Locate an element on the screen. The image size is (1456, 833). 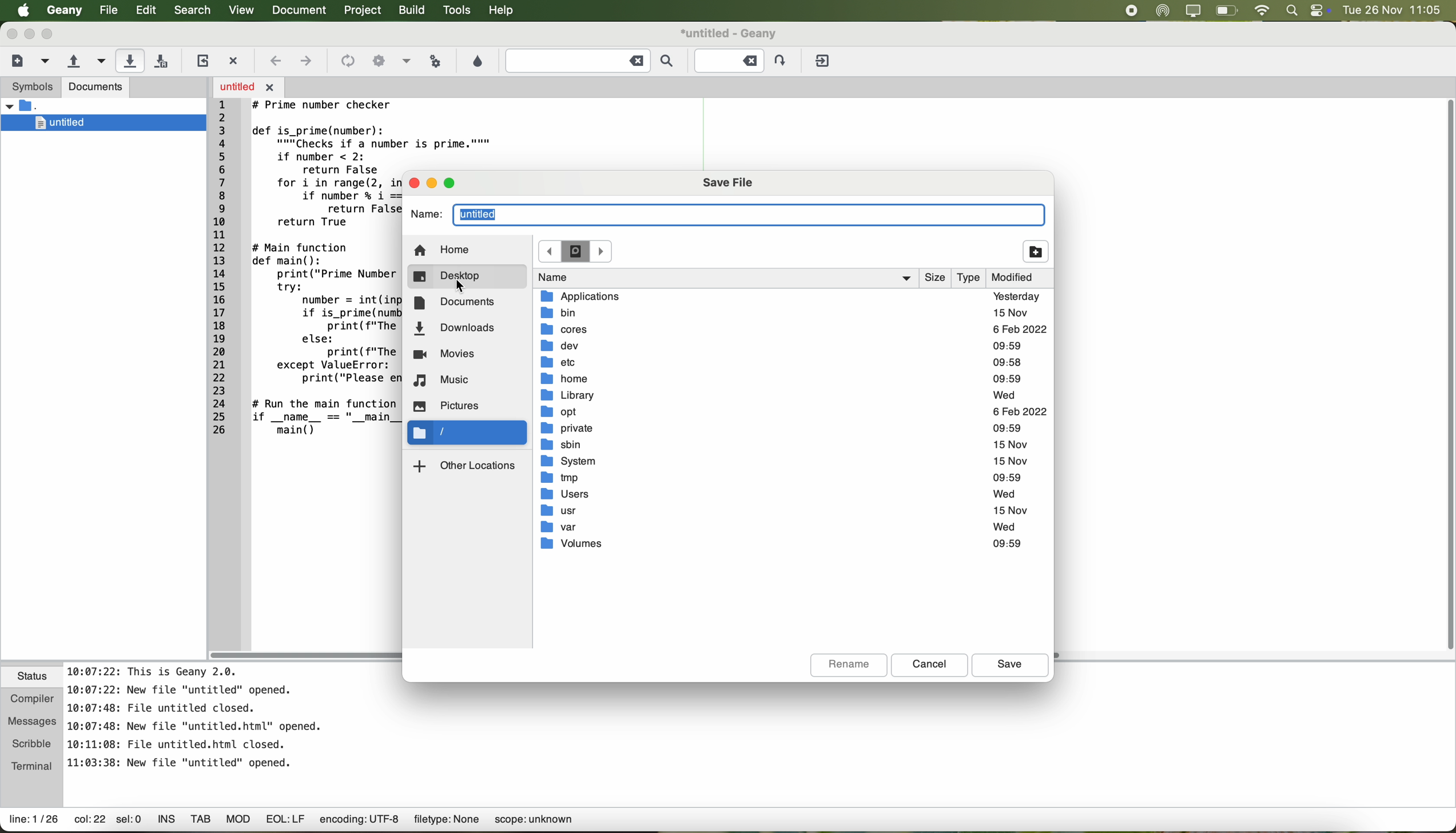
view is located at coordinates (240, 10).